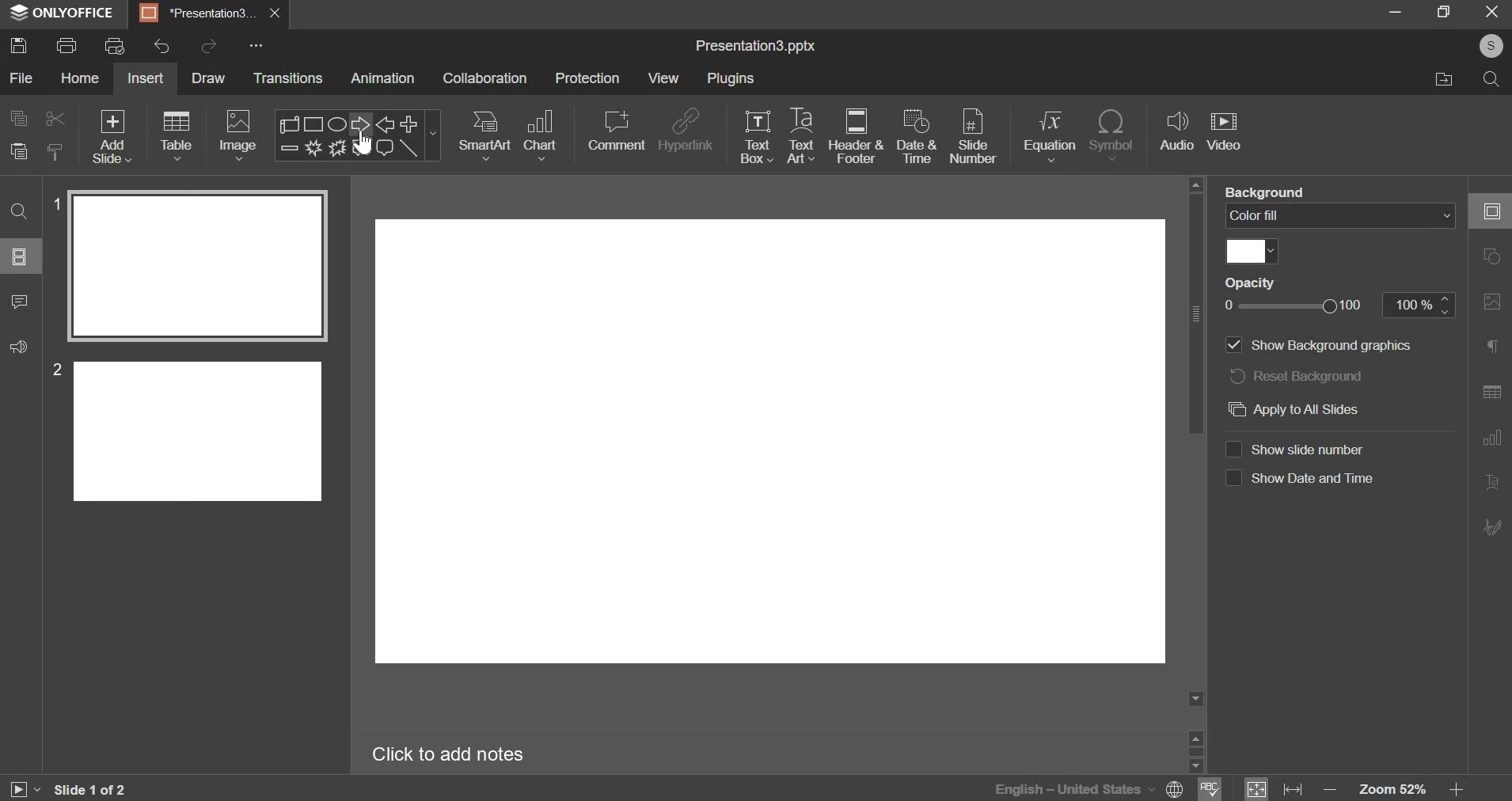 Image resolution: width=1512 pixels, height=801 pixels. I want to click on print, so click(66, 45).